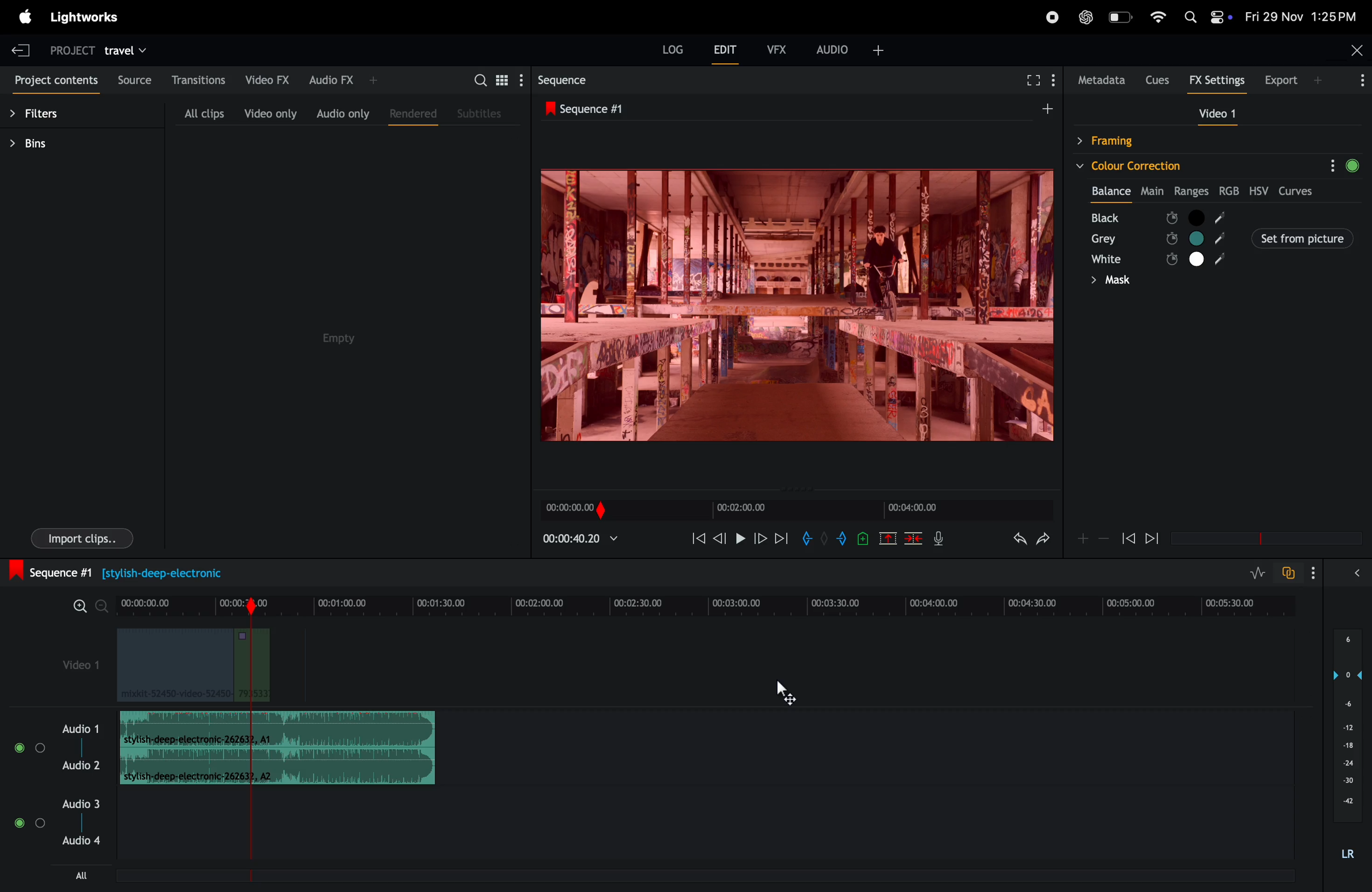  I want to click on expand, so click(1356, 573).